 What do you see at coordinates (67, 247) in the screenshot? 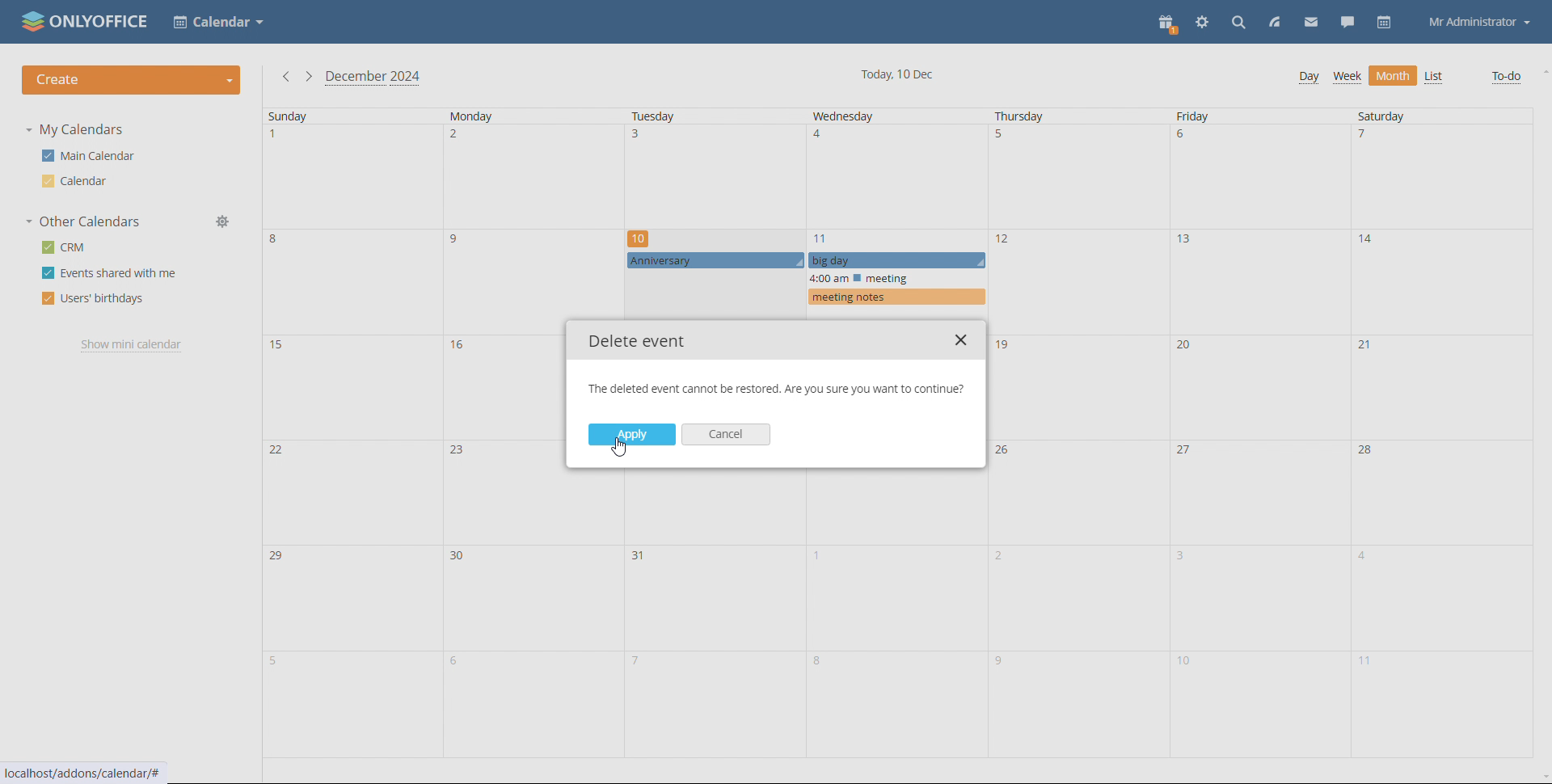
I see `crm` at bounding box center [67, 247].